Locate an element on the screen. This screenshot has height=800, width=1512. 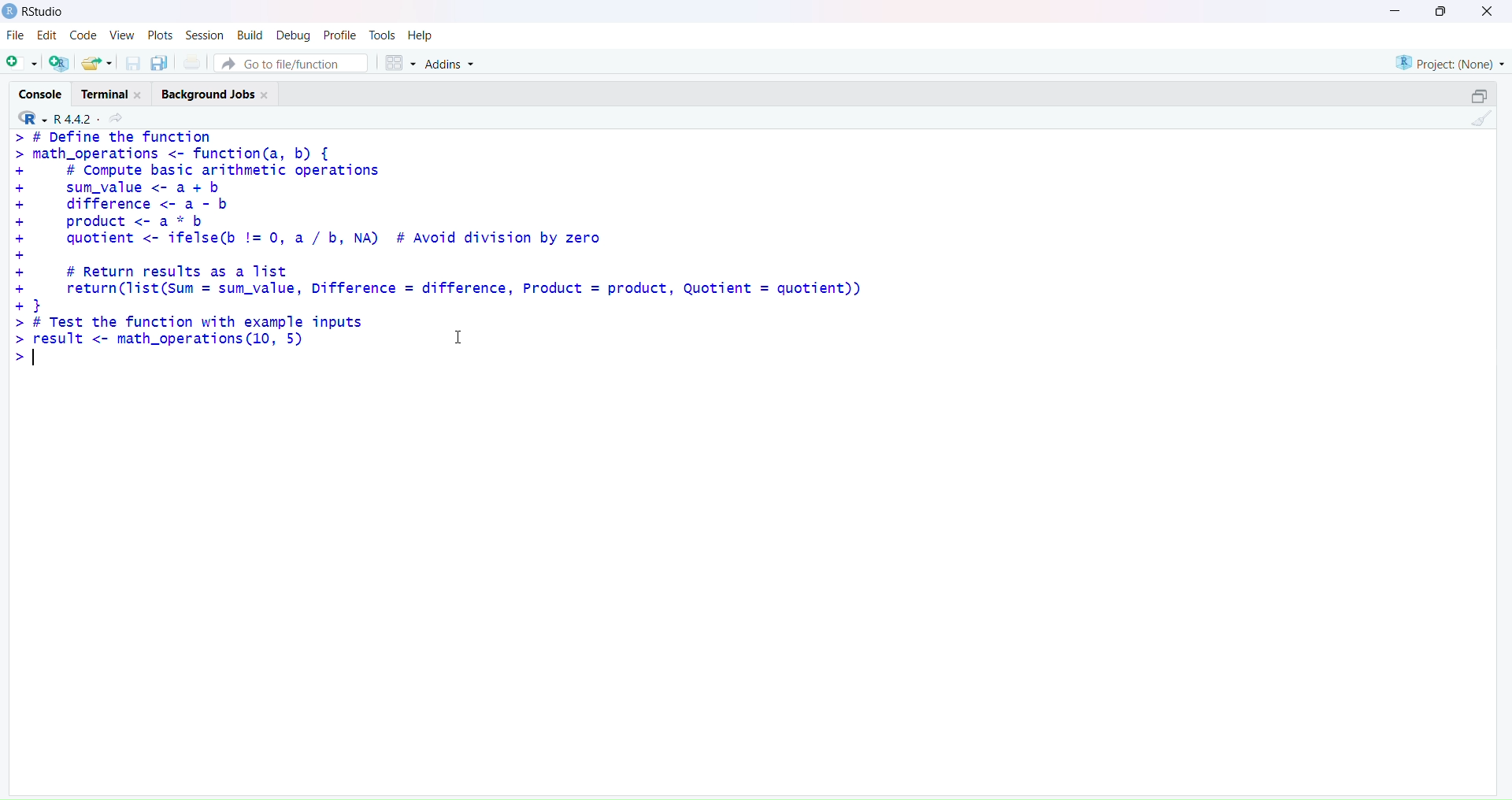
Workspace panes is located at coordinates (398, 62).